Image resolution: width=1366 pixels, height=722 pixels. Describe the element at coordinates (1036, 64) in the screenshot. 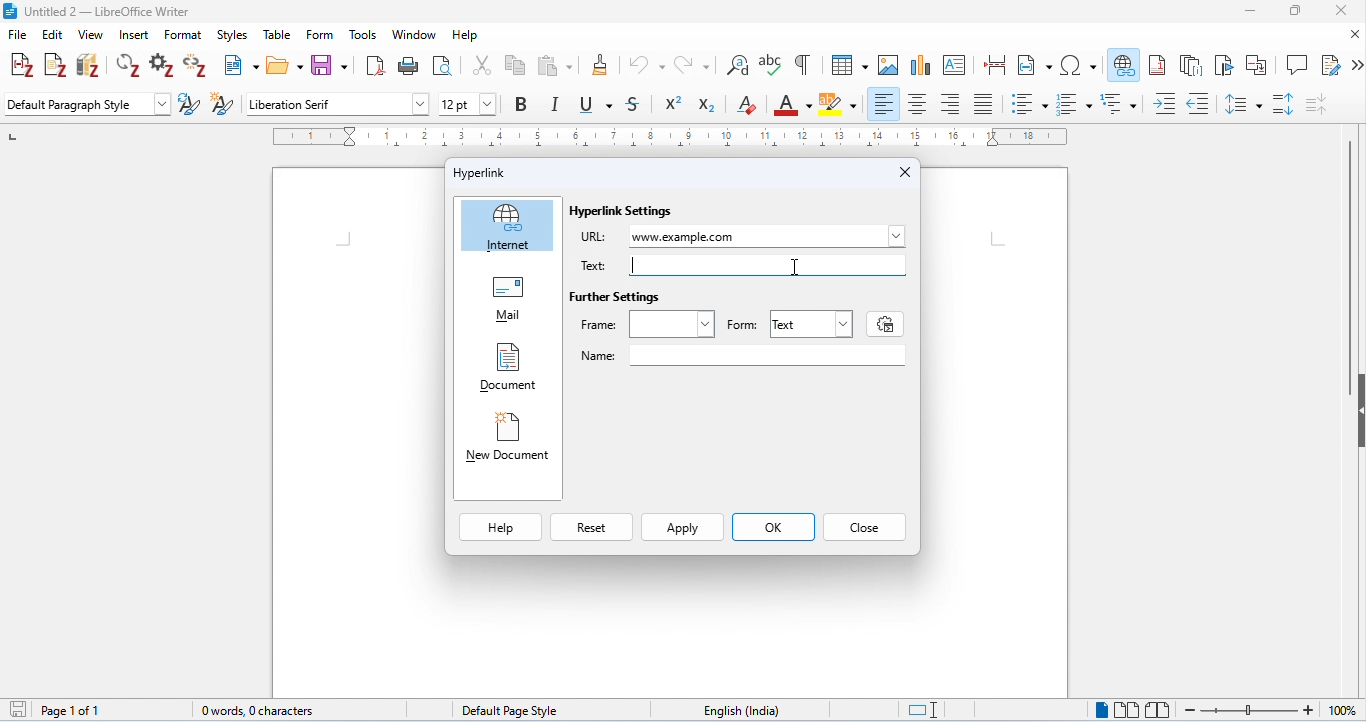

I see `insert field` at that location.